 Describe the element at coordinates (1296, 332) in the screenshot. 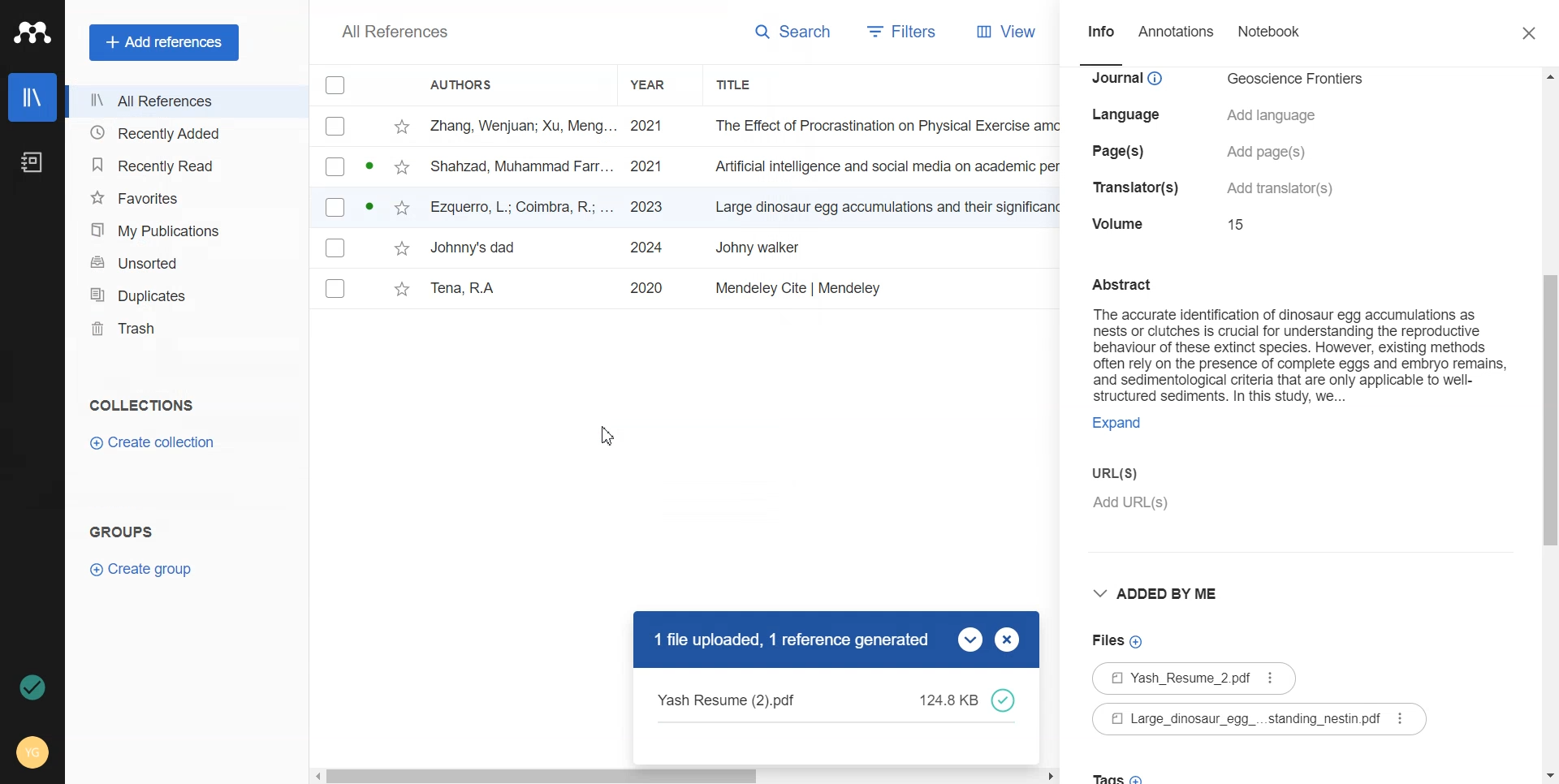

I see `Text` at that location.